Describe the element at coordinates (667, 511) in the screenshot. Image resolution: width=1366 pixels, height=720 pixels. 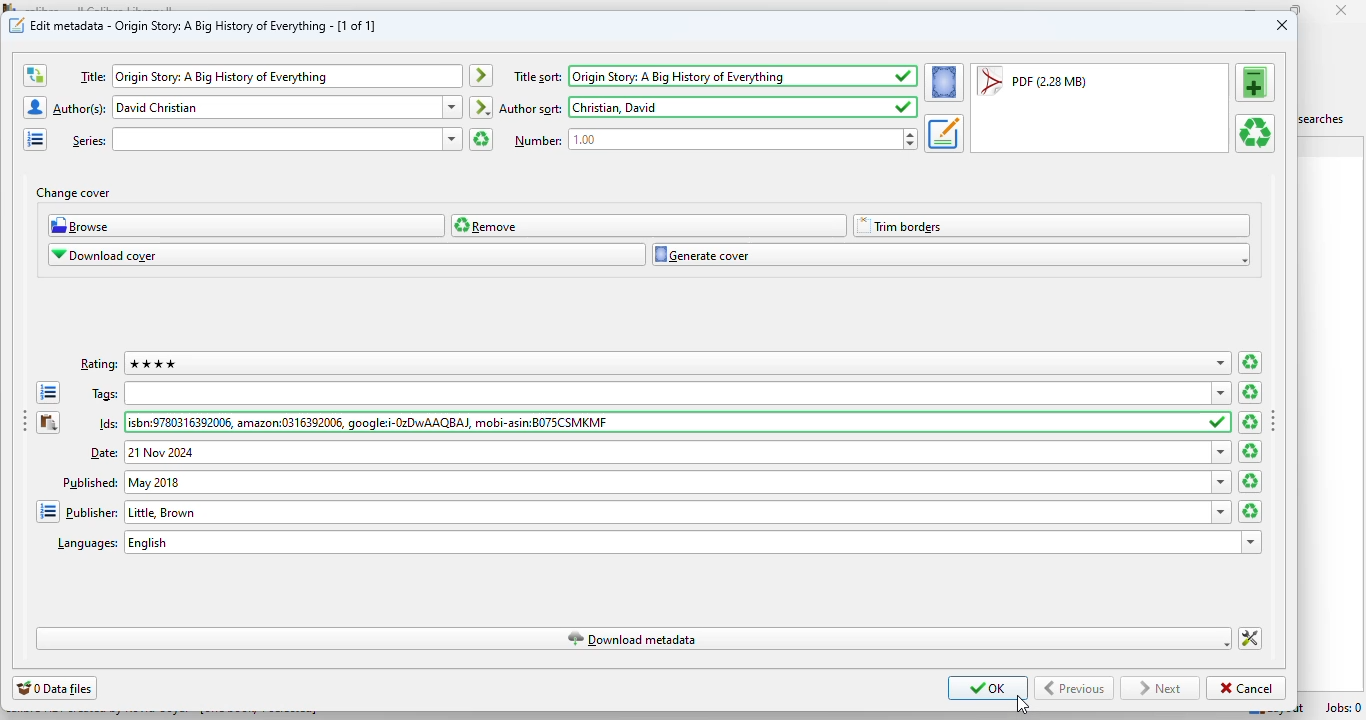
I see `publisher: little, brown` at that location.